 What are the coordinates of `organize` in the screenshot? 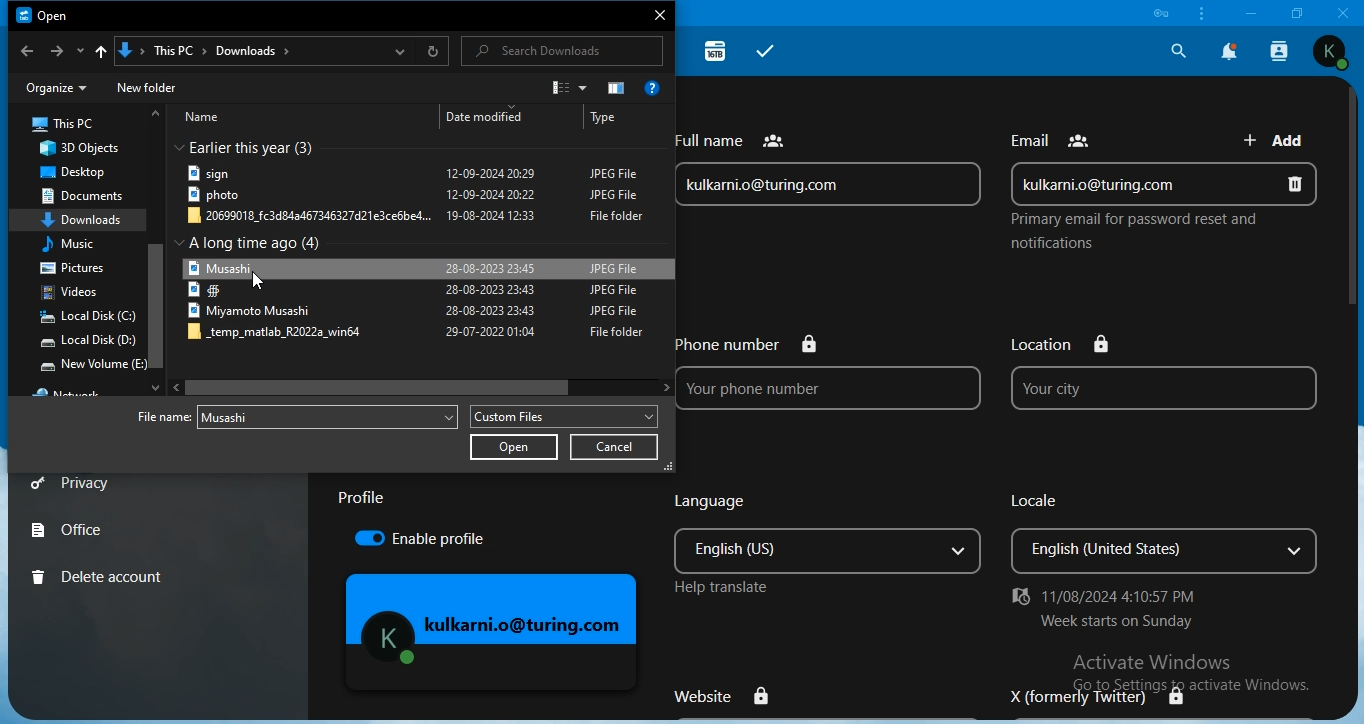 It's located at (55, 87).